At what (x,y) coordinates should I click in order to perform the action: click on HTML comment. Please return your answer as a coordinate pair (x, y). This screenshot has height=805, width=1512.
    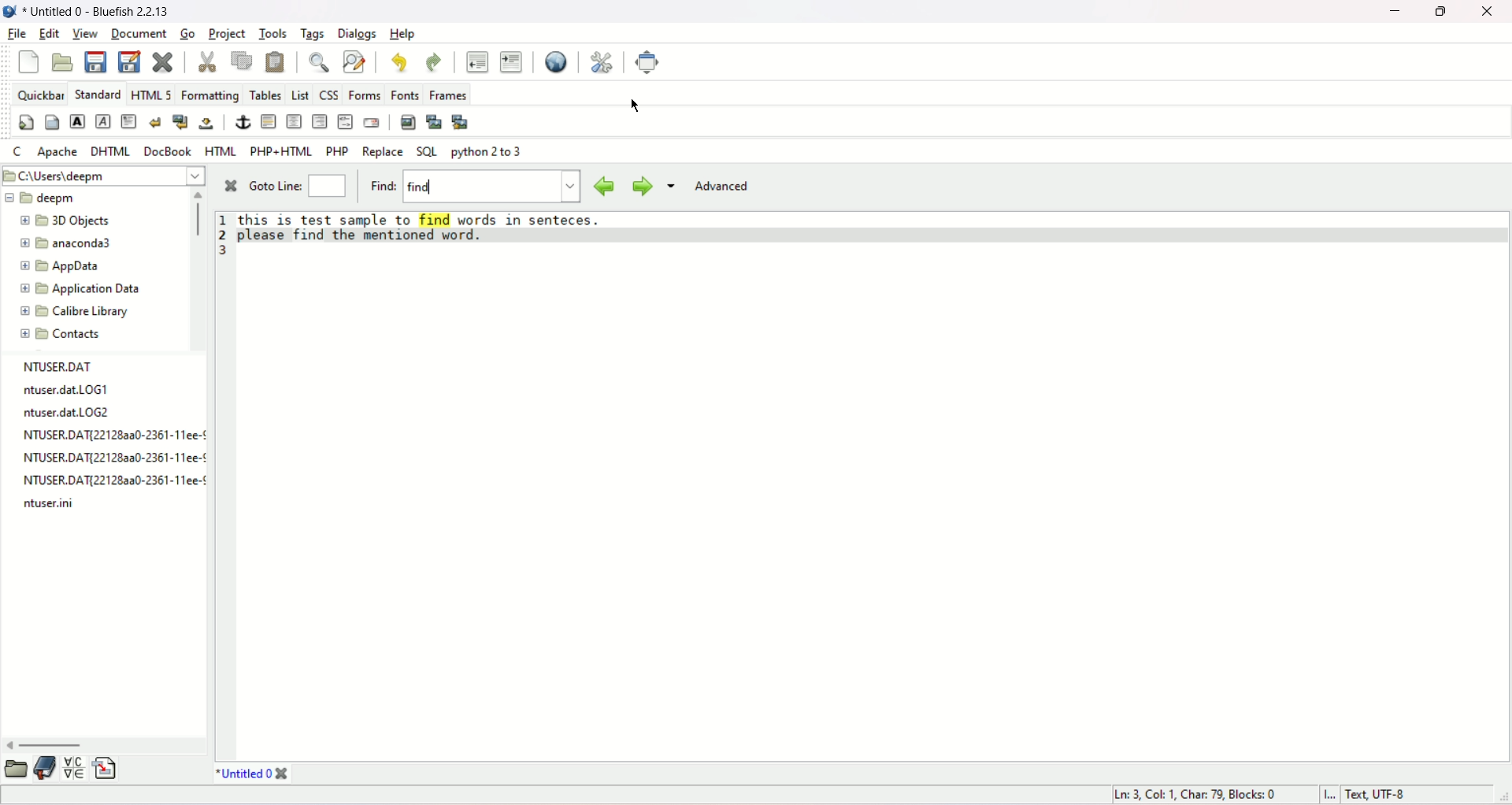
    Looking at the image, I should click on (344, 121).